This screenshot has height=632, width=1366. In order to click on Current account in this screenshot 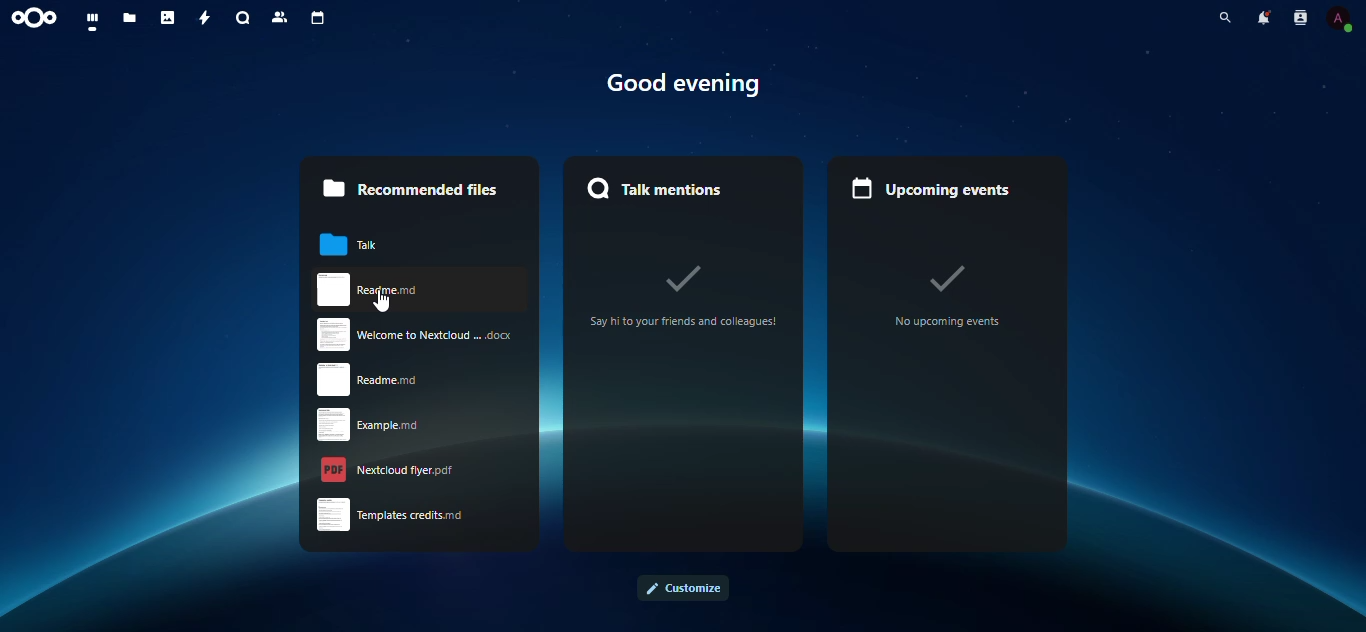, I will do `click(1339, 18)`.